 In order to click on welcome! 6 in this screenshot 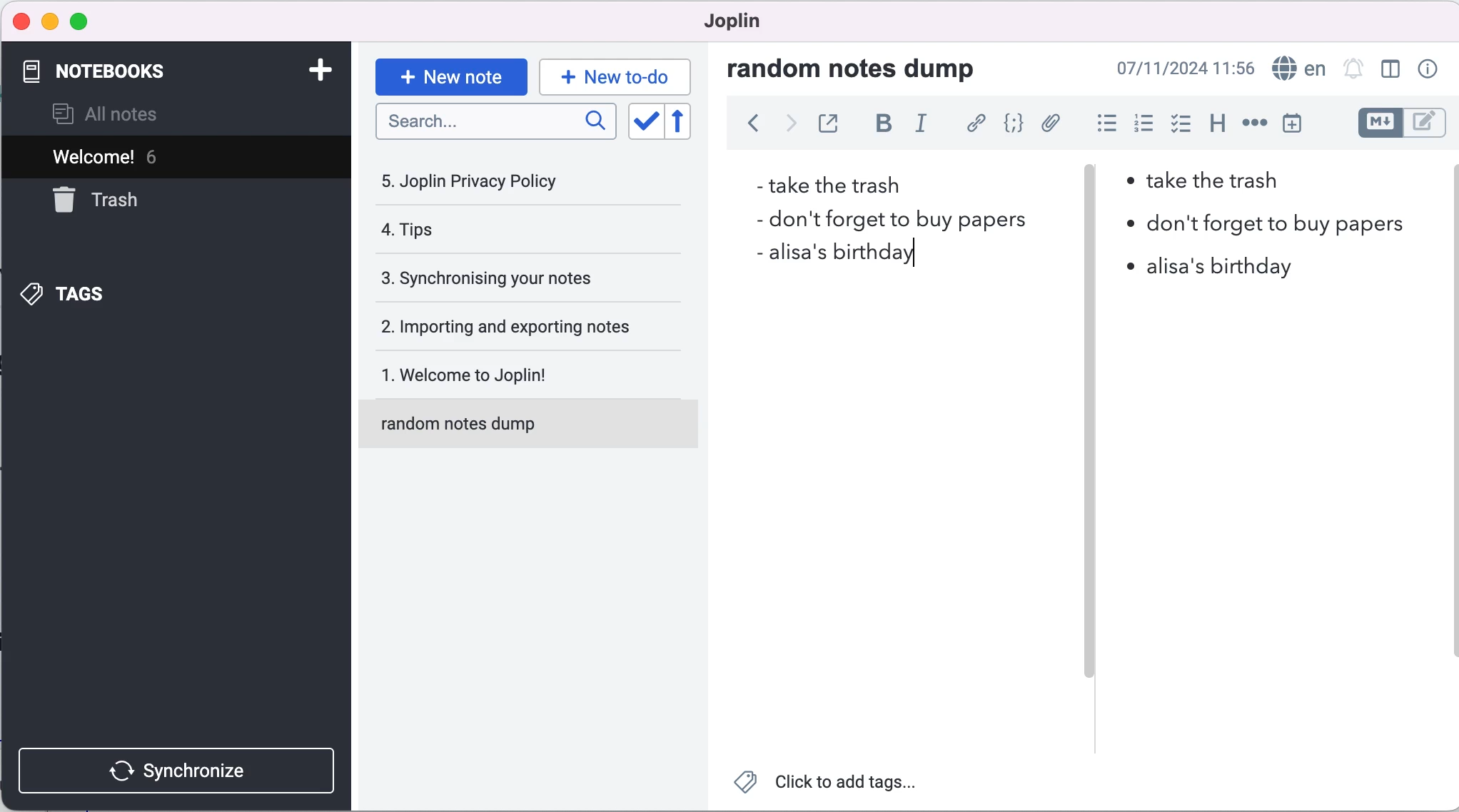, I will do `click(138, 156)`.